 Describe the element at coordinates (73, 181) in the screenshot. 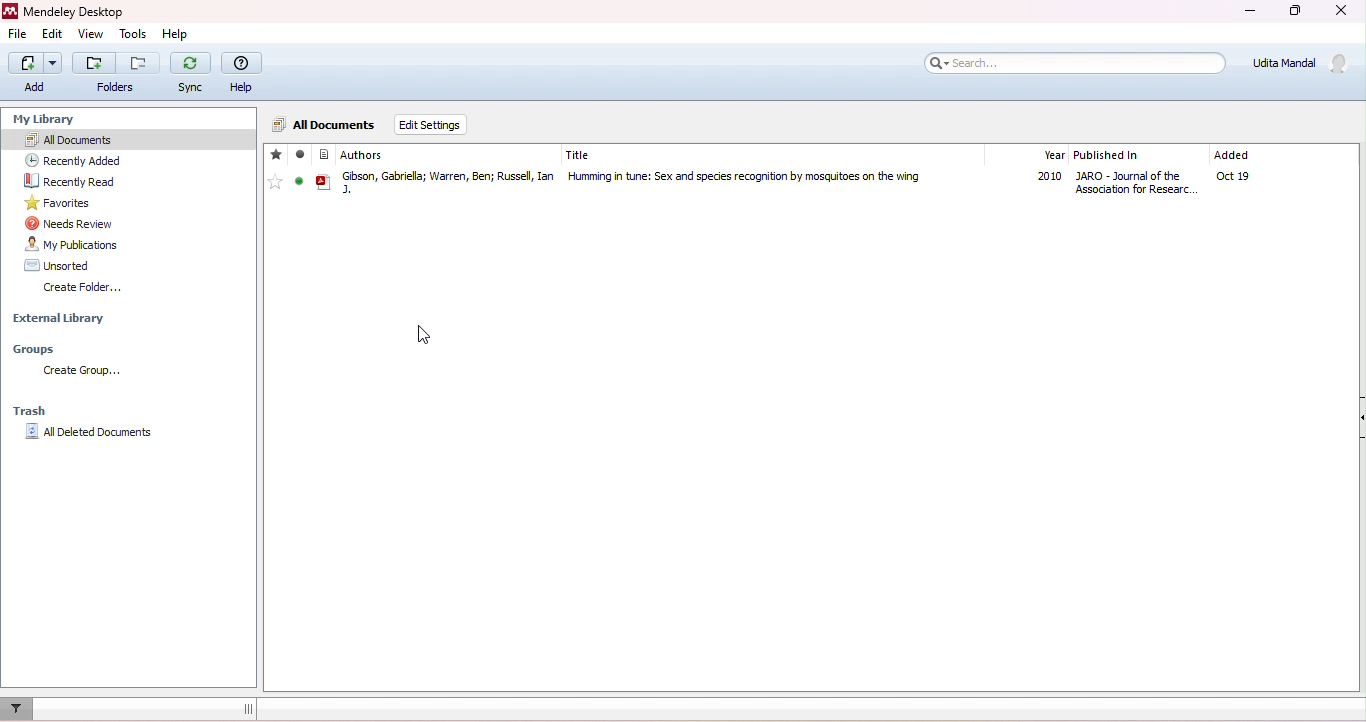

I see `recently read` at that location.